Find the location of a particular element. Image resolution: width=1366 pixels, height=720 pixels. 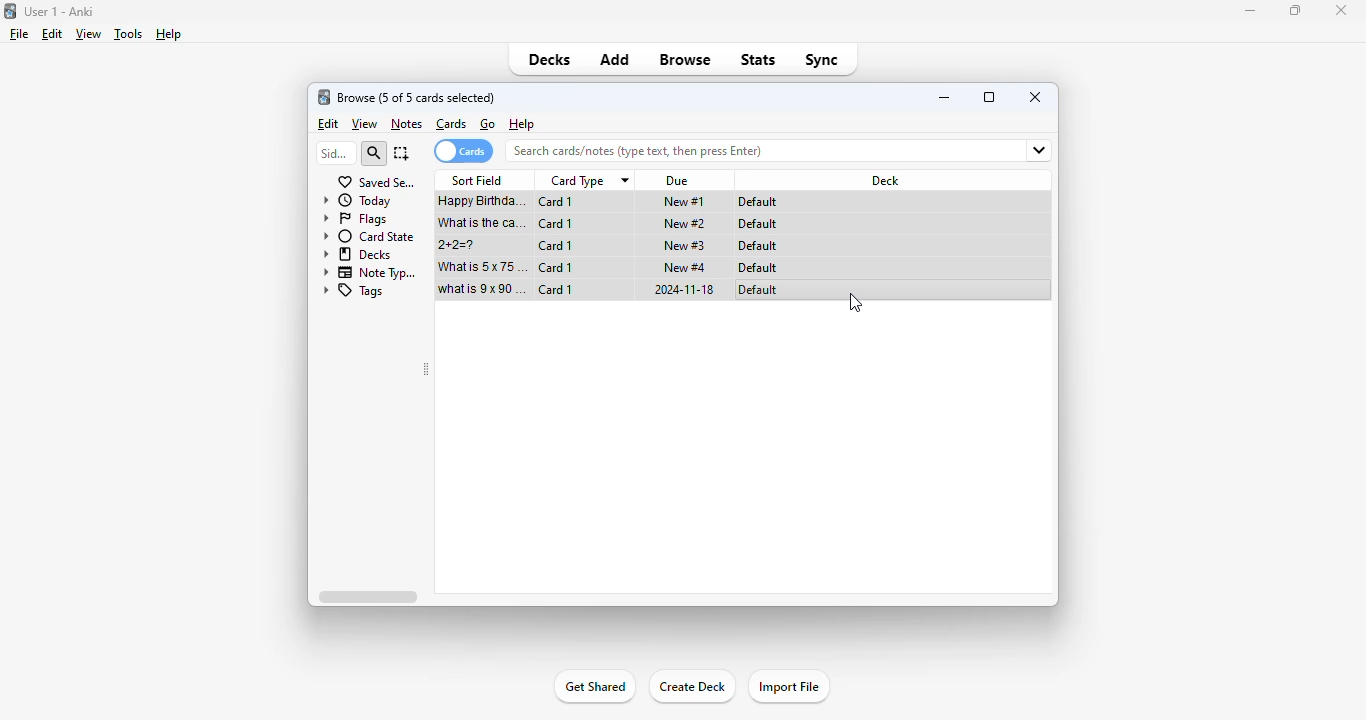

deck is located at coordinates (882, 180).